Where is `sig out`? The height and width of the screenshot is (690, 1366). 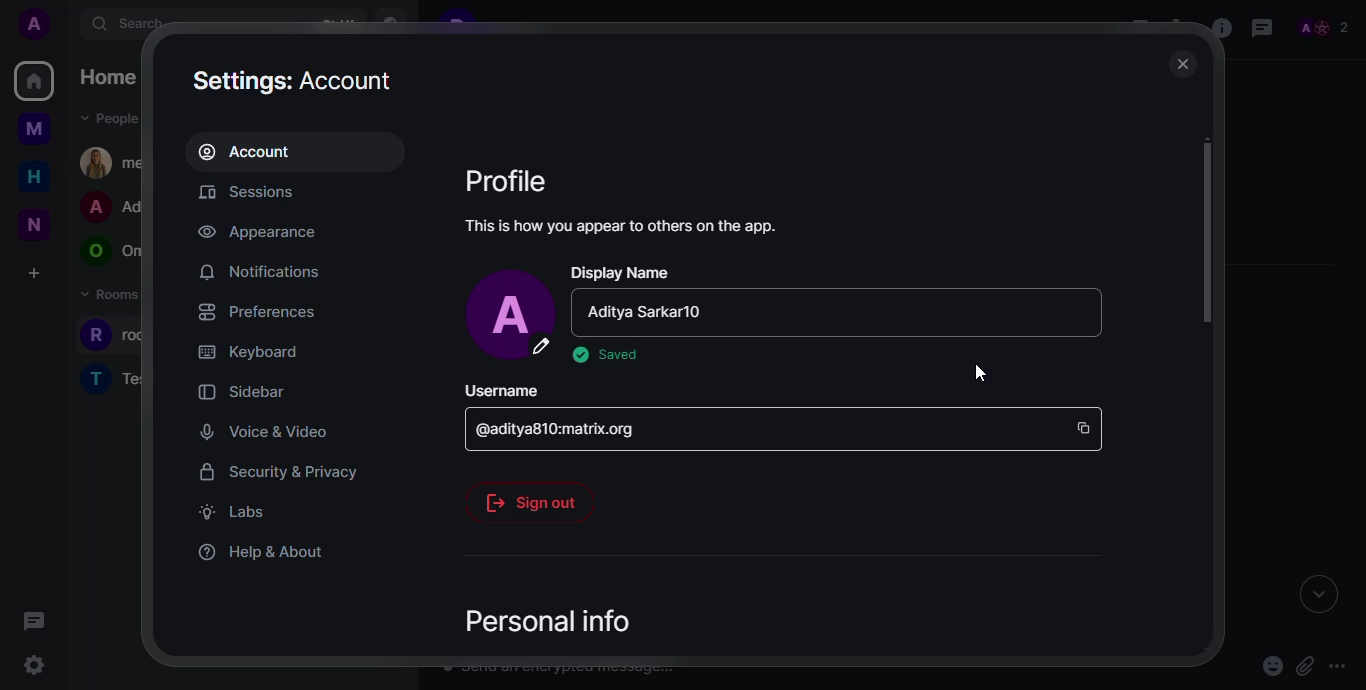 sig out is located at coordinates (532, 497).